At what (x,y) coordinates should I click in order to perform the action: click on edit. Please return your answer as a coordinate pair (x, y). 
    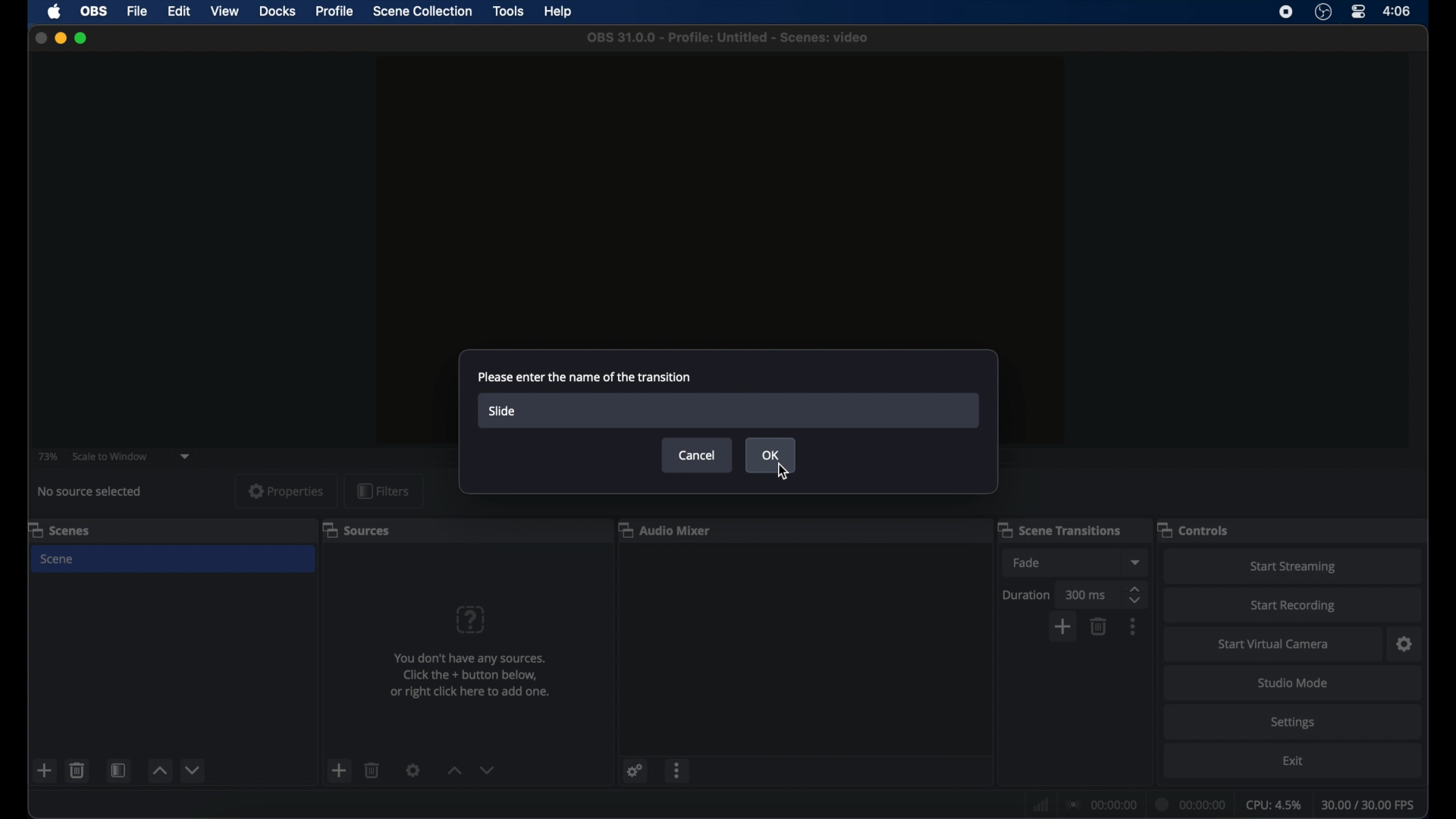
    Looking at the image, I should click on (178, 11).